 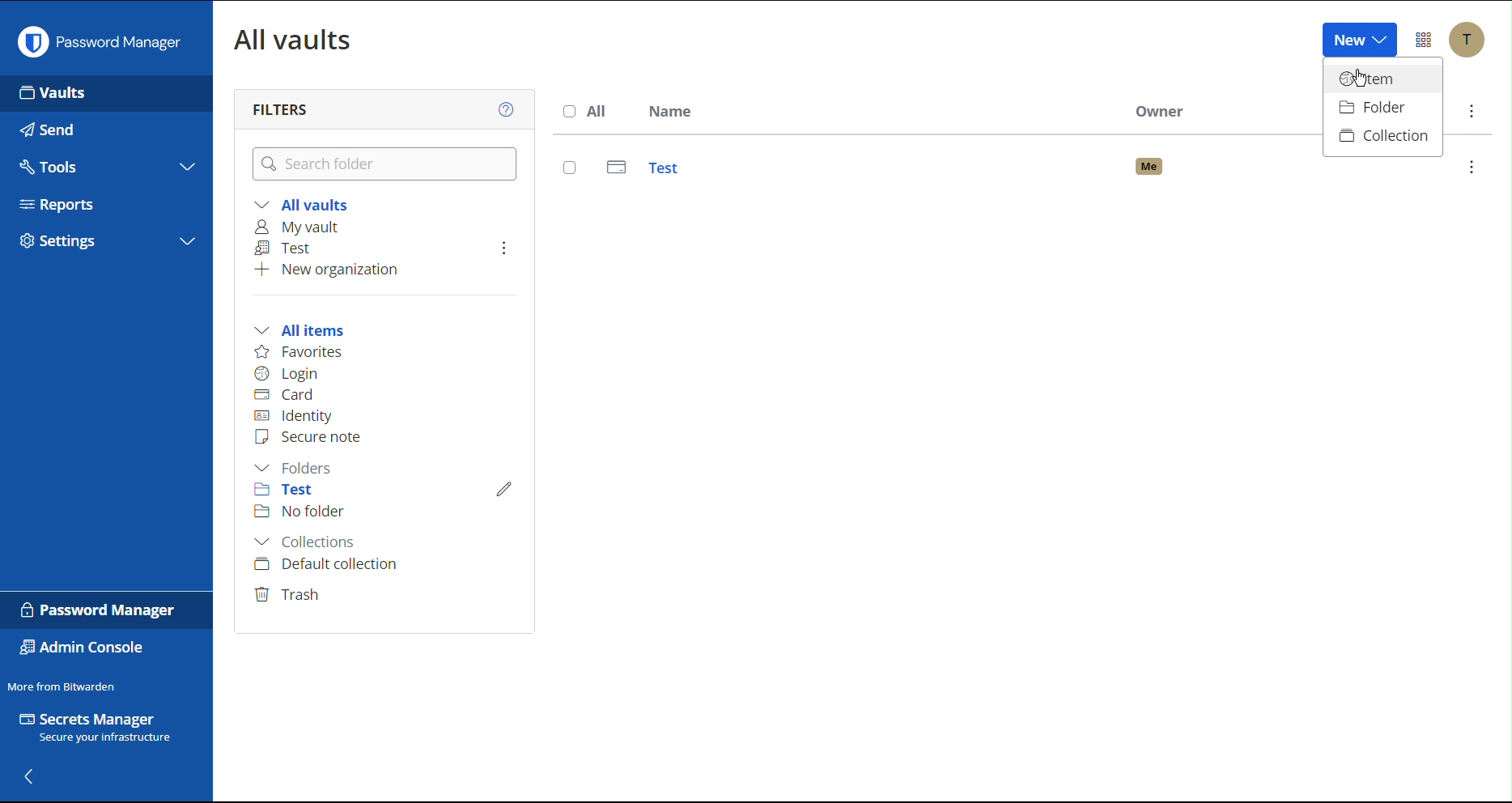 I want to click on Name, so click(x=669, y=113).